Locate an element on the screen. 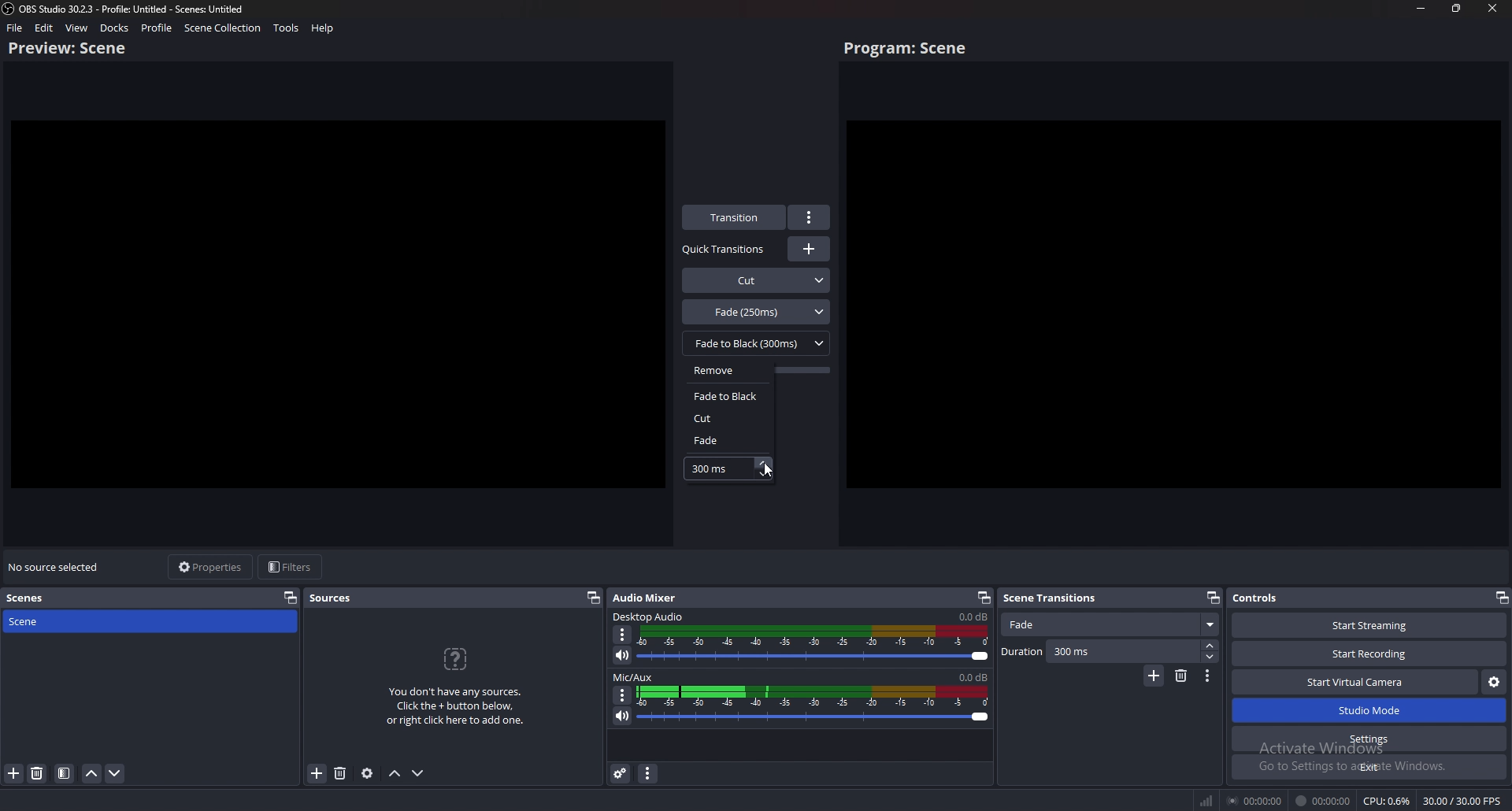 The height and width of the screenshot is (811, 1512). help is located at coordinates (322, 28).